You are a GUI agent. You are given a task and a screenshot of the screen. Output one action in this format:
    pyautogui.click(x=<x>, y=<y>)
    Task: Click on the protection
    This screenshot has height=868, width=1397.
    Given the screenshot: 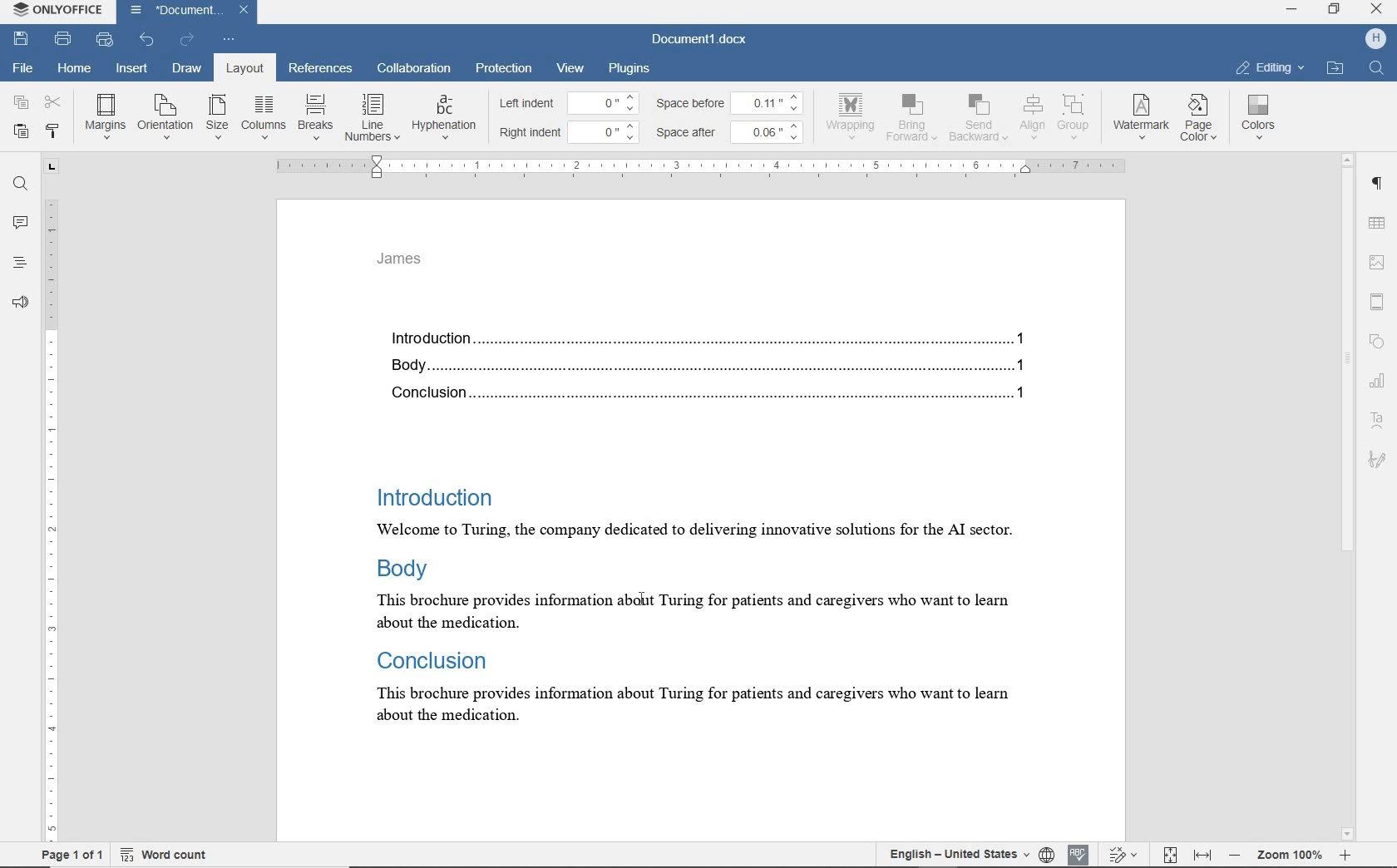 What is the action you would take?
    pyautogui.click(x=503, y=67)
    